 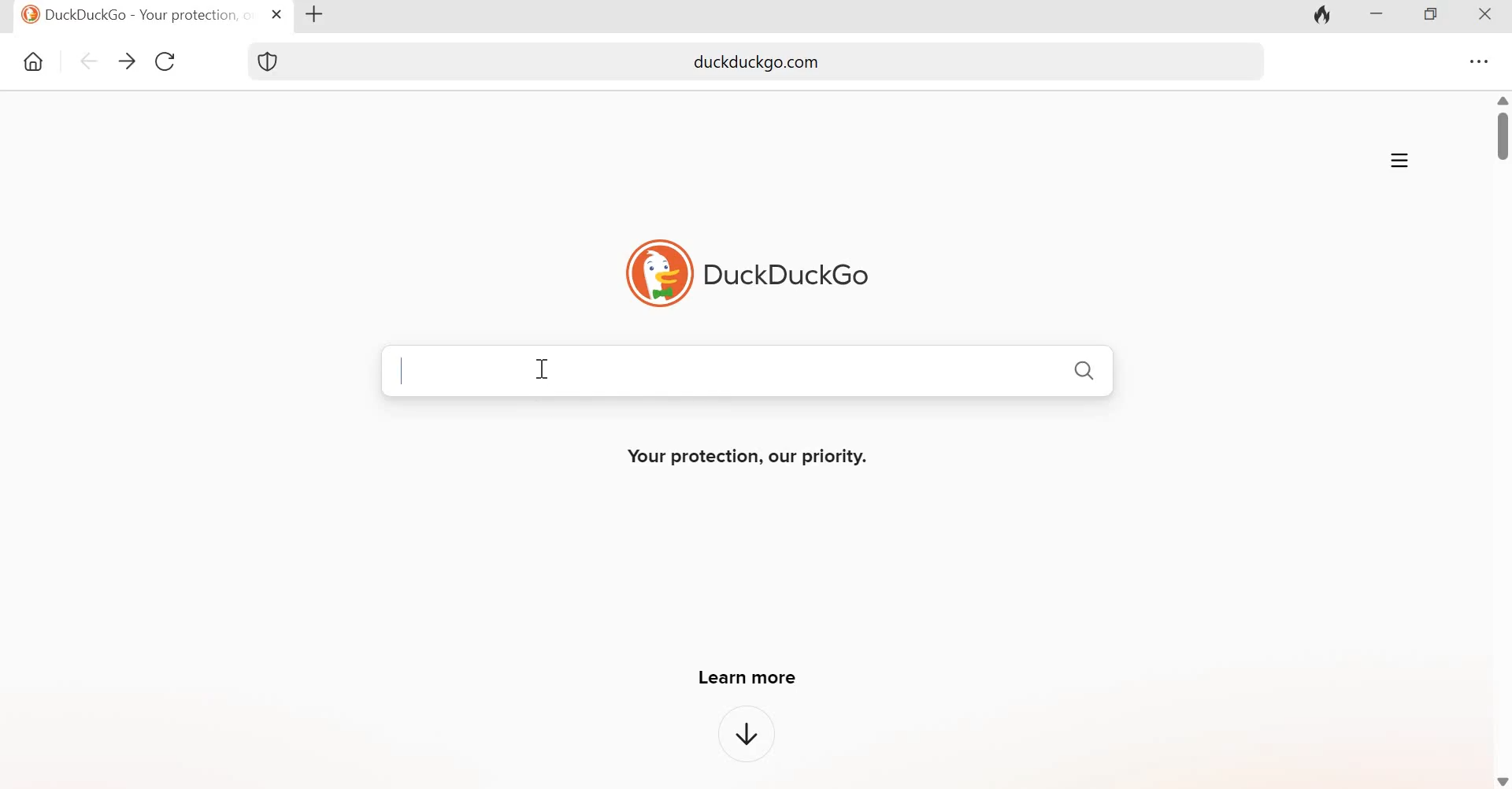 What do you see at coordinates (31, 61) in the screenshot?
I see `Home` at bounding box center [31, 61].